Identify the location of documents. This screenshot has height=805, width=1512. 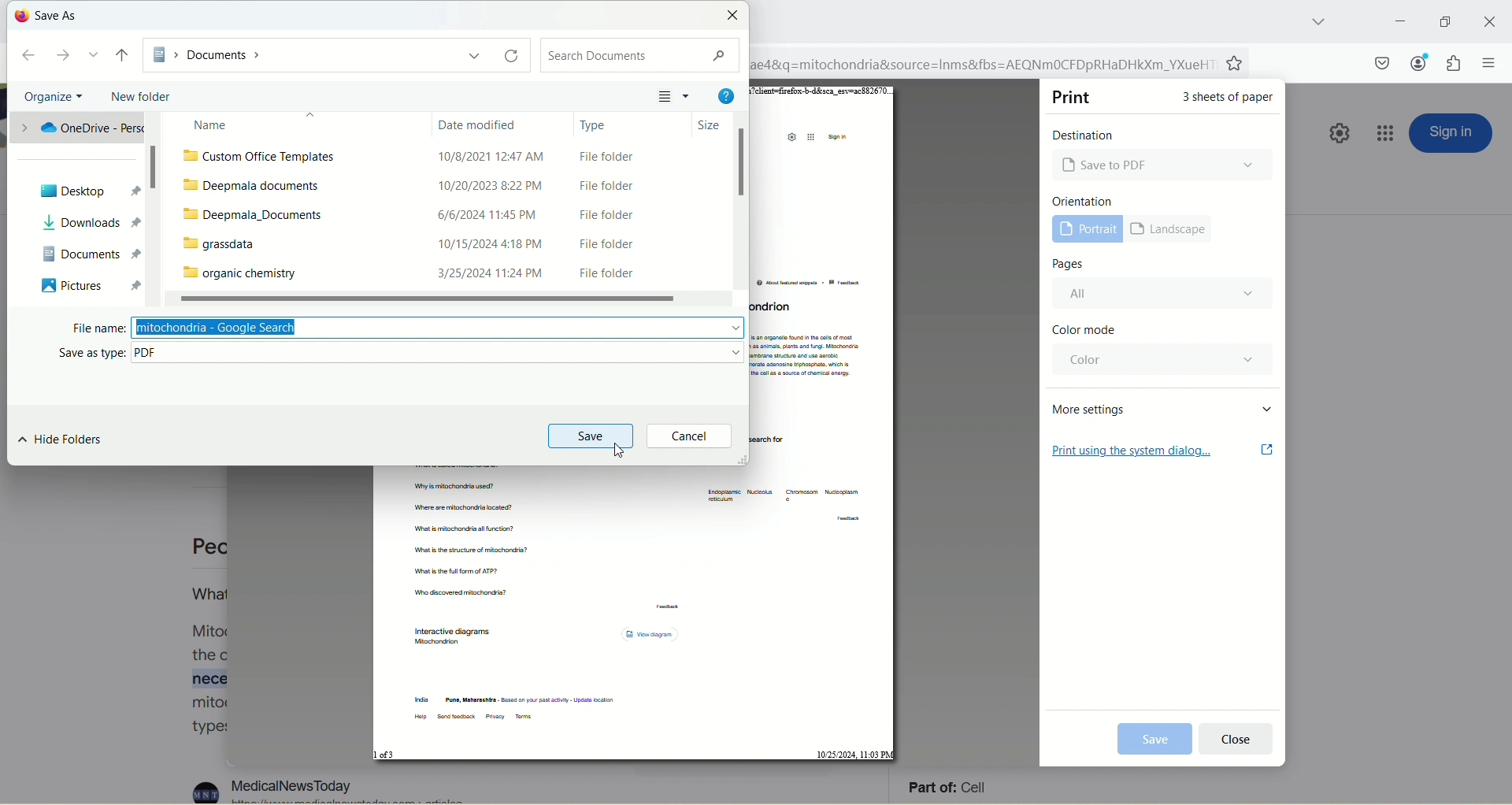
(334, 54).